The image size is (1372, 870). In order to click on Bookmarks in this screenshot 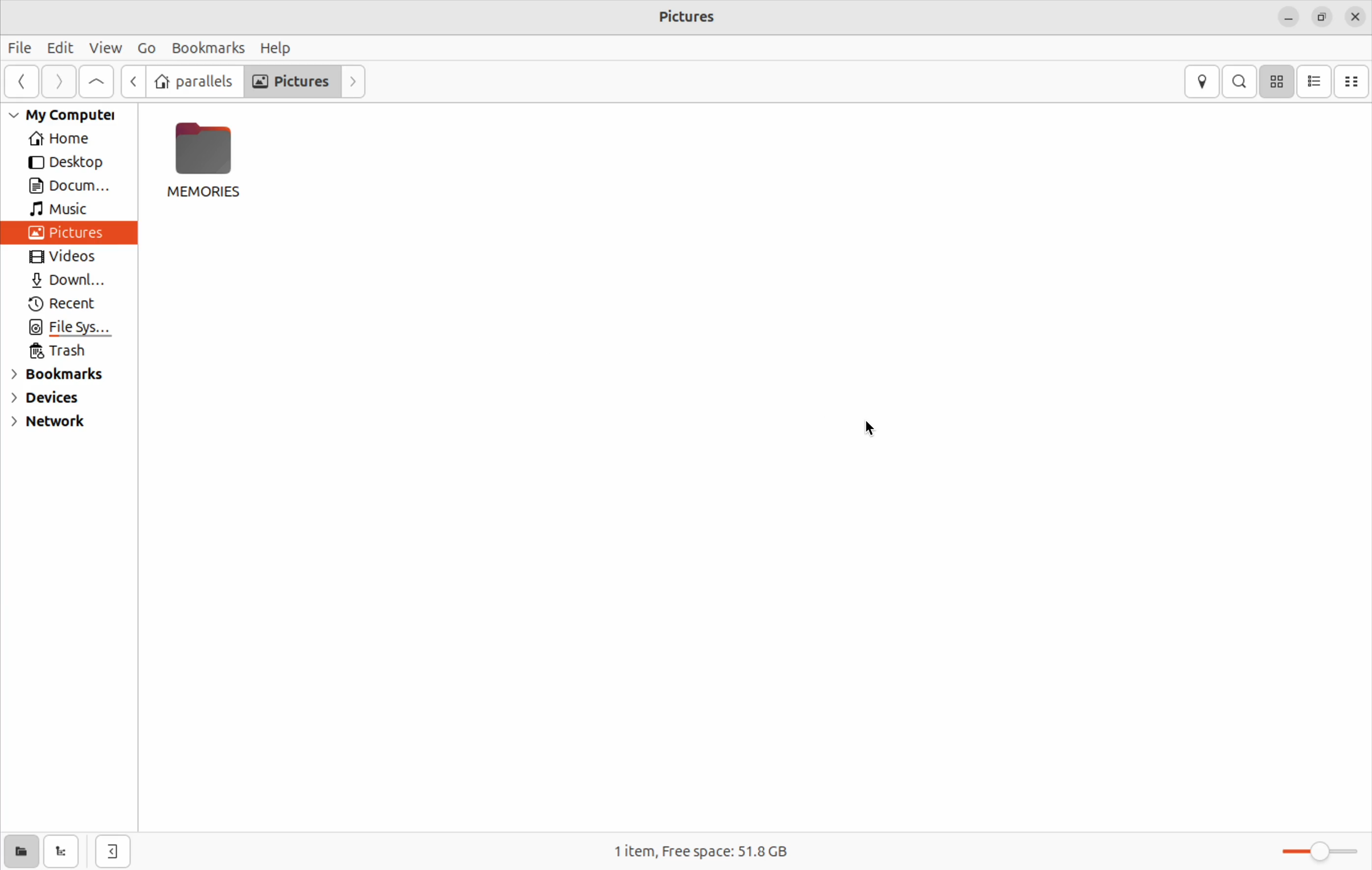, I will do `click(57, 373)`.